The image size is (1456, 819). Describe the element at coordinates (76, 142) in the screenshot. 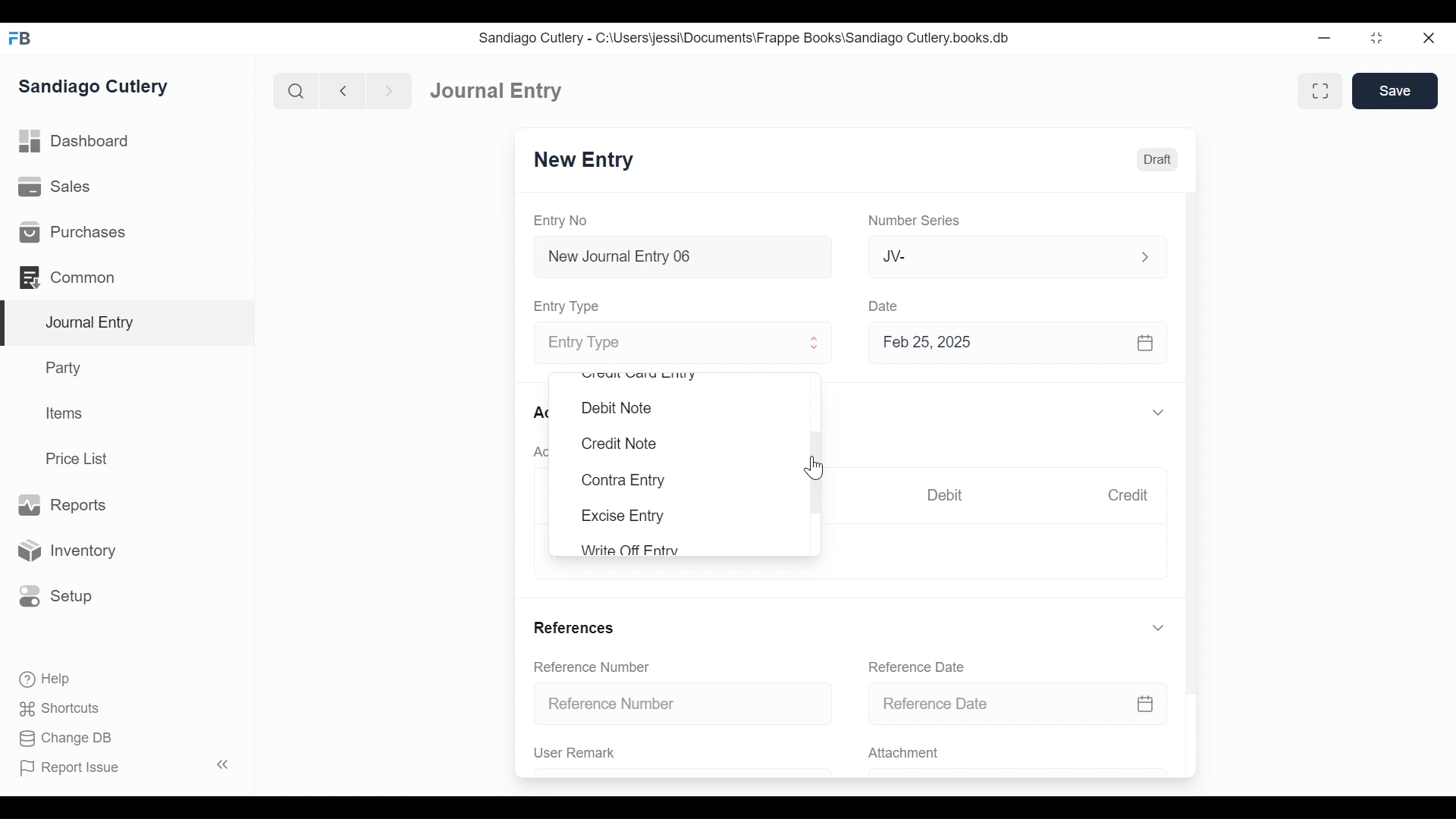

I see `Dashboard` at that location.